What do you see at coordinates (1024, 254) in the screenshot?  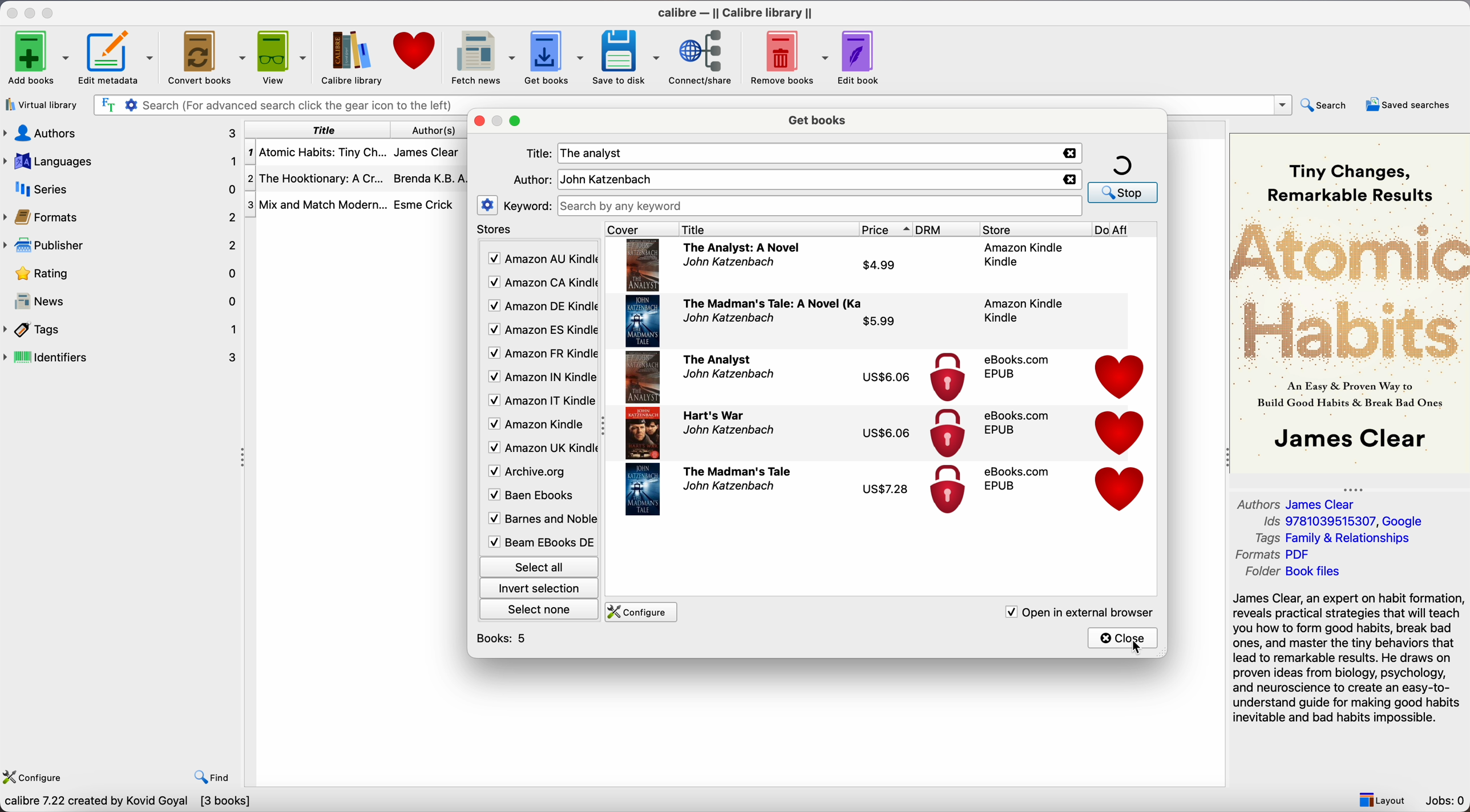 I see `Amazon Kindle` at bounding box center [1024, 254].